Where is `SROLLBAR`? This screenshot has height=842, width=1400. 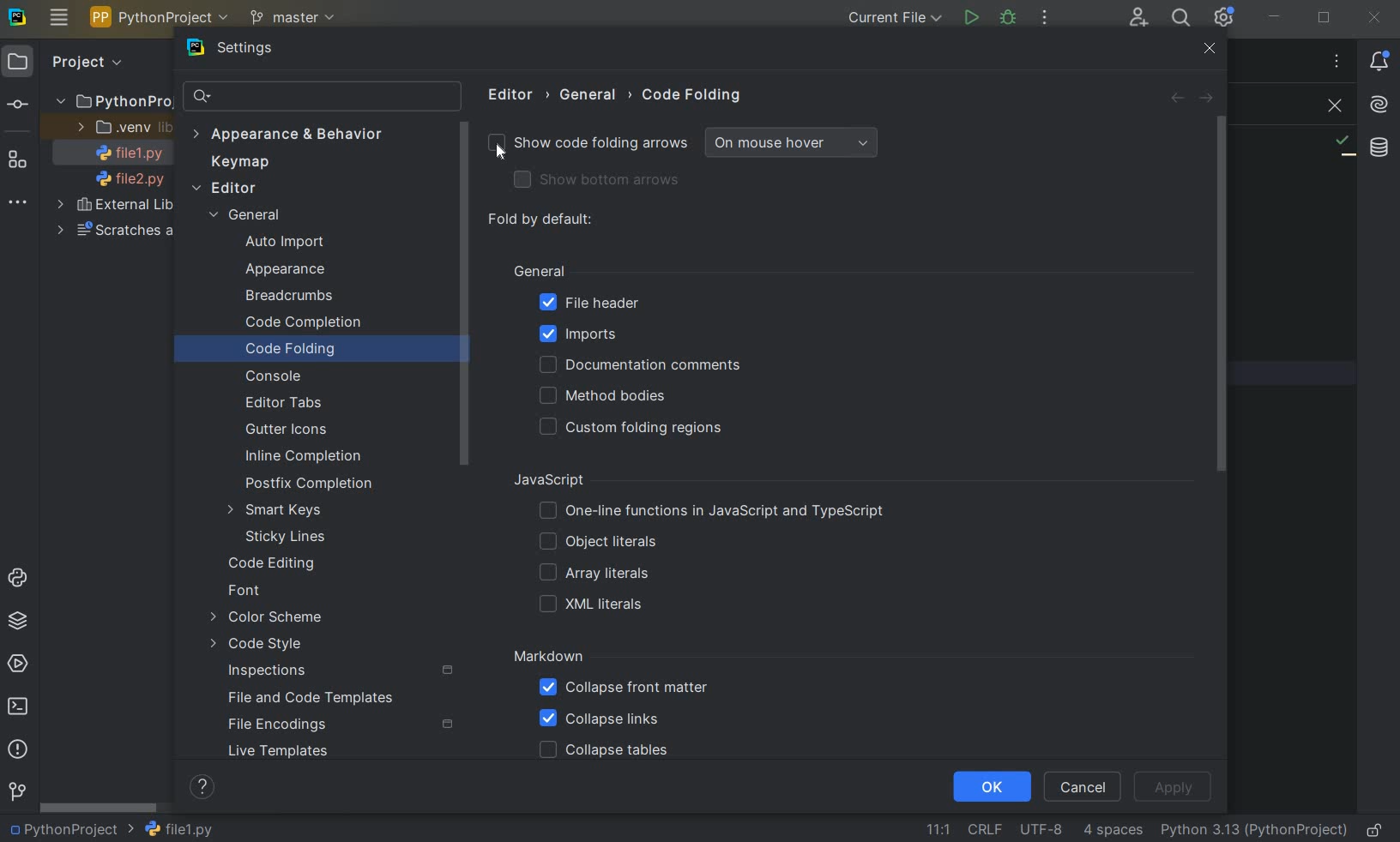 SROLLBAR is located at coordinates (465, 296).